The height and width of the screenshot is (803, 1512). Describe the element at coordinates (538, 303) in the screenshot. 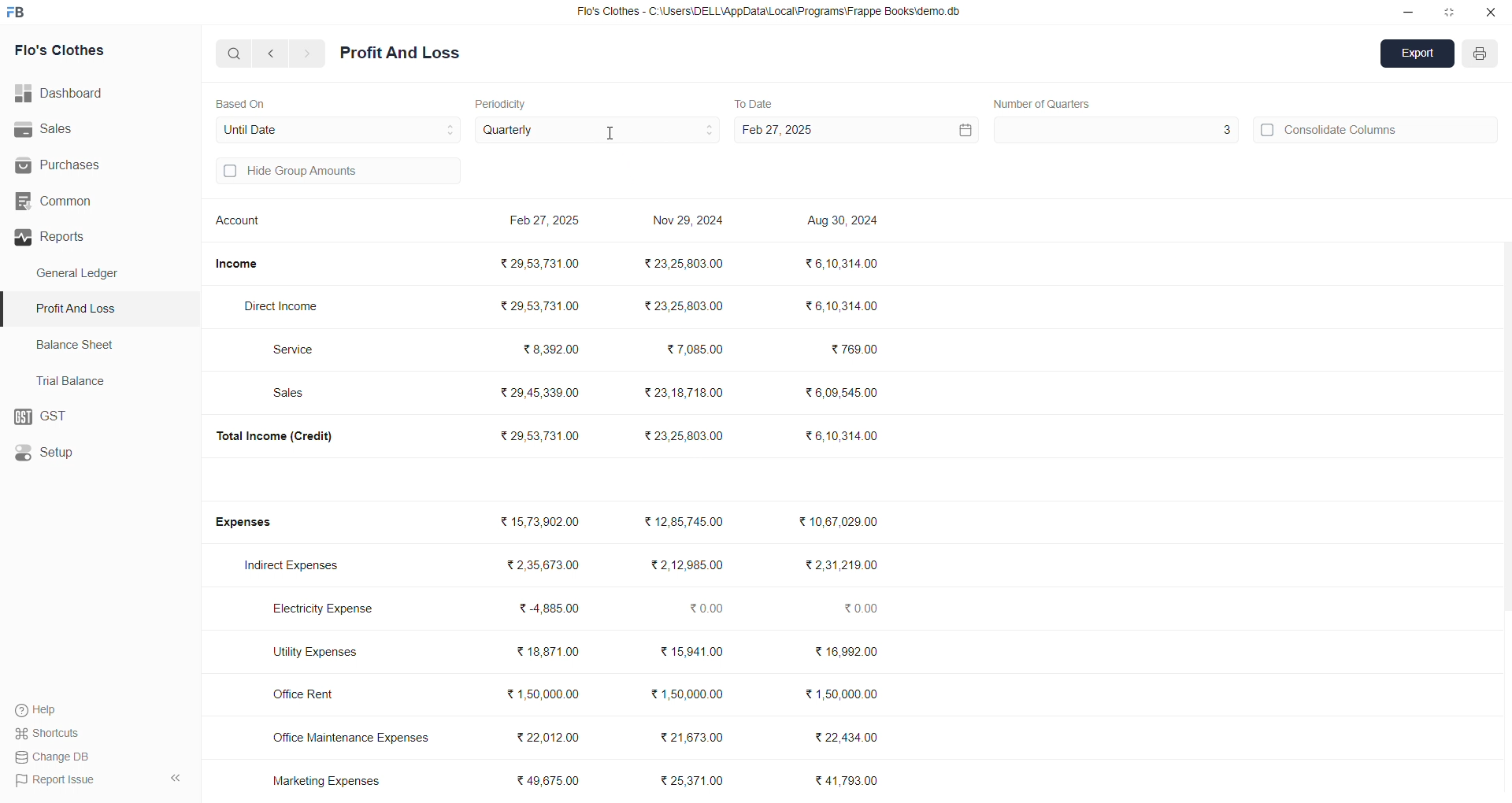

I see `₹29,53,731.00` at that location.